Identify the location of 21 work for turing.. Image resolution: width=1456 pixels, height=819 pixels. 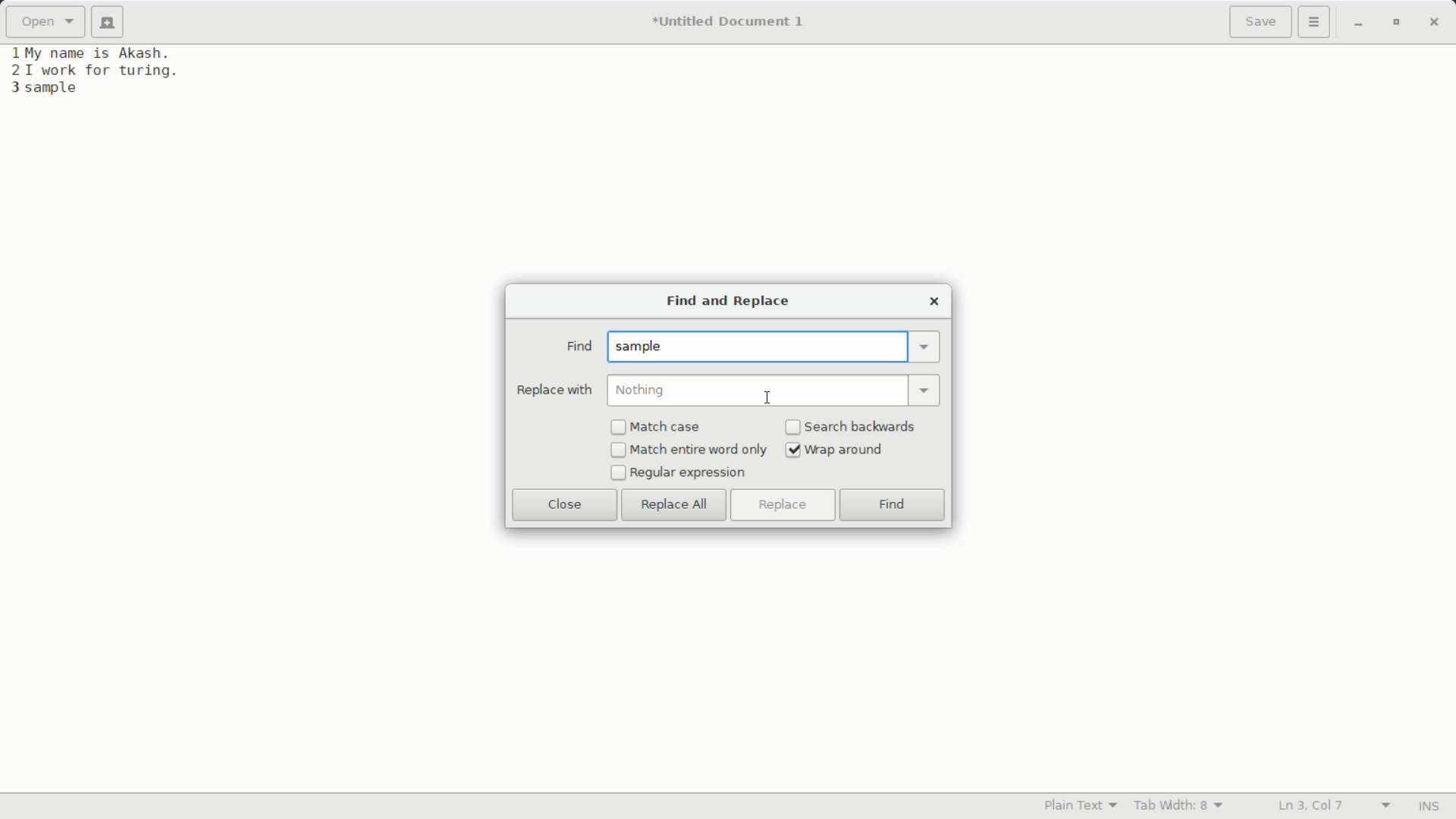
(93, 71).